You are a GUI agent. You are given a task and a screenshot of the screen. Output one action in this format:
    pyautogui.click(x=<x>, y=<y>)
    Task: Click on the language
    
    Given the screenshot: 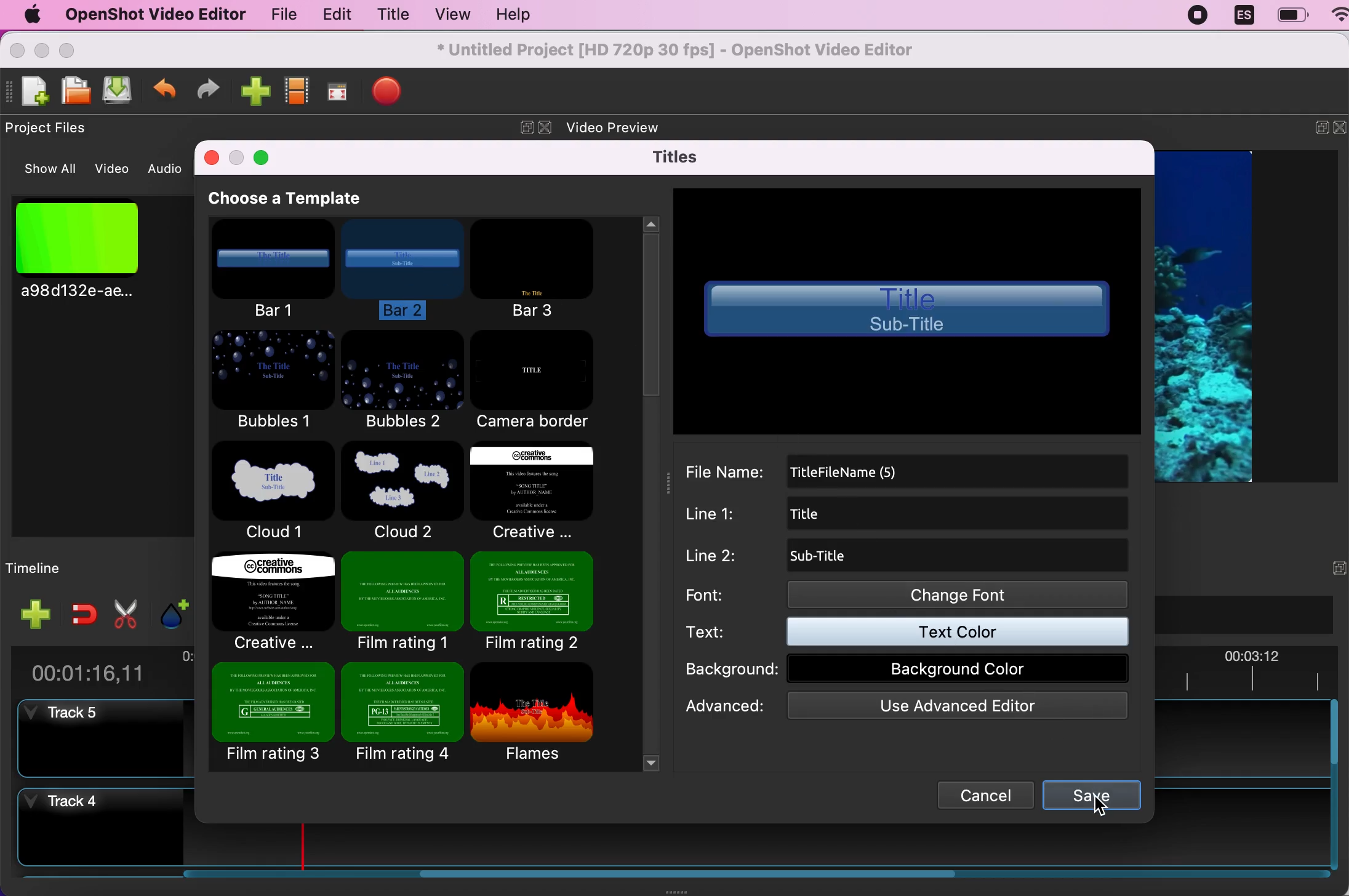 What is the action you would take?
    pyautogui.click(x=1244, y=17)
    